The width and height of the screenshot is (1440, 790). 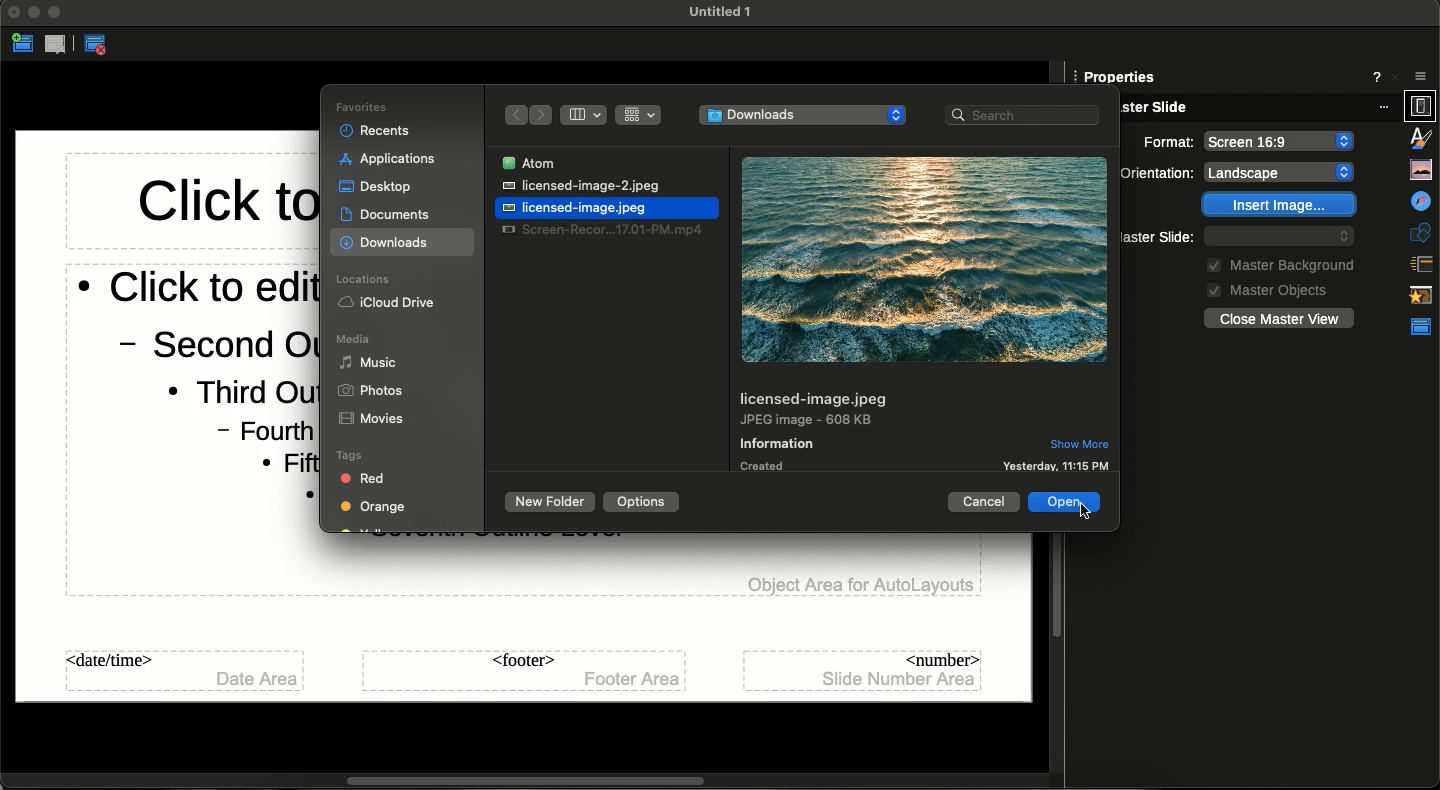 What do you see at coordinates (58, 45) in the screenshot?
I see `Delete master` at bounding box center [58, 45].